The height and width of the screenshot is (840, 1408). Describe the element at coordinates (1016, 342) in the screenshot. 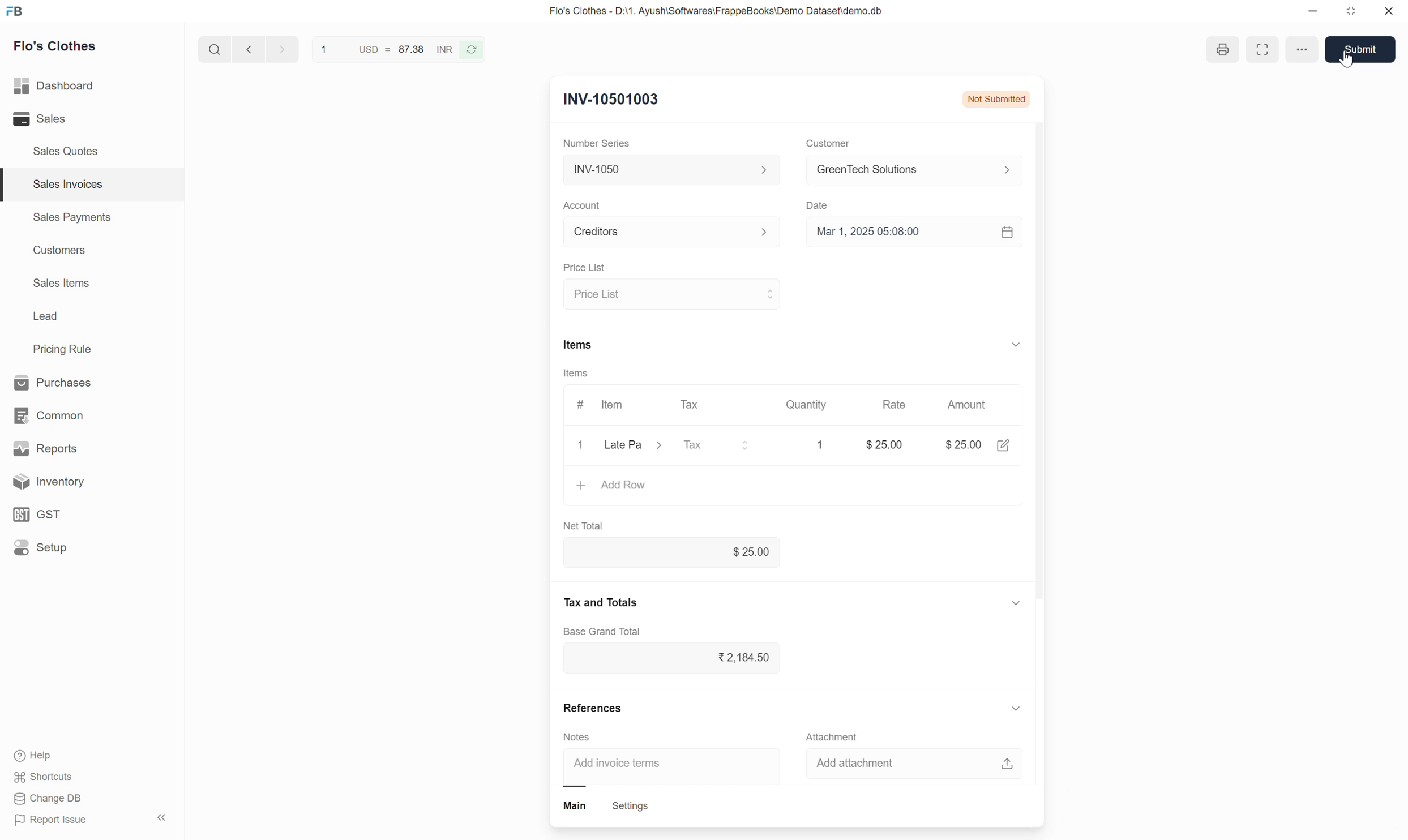

I see `show or hide items` at that location.